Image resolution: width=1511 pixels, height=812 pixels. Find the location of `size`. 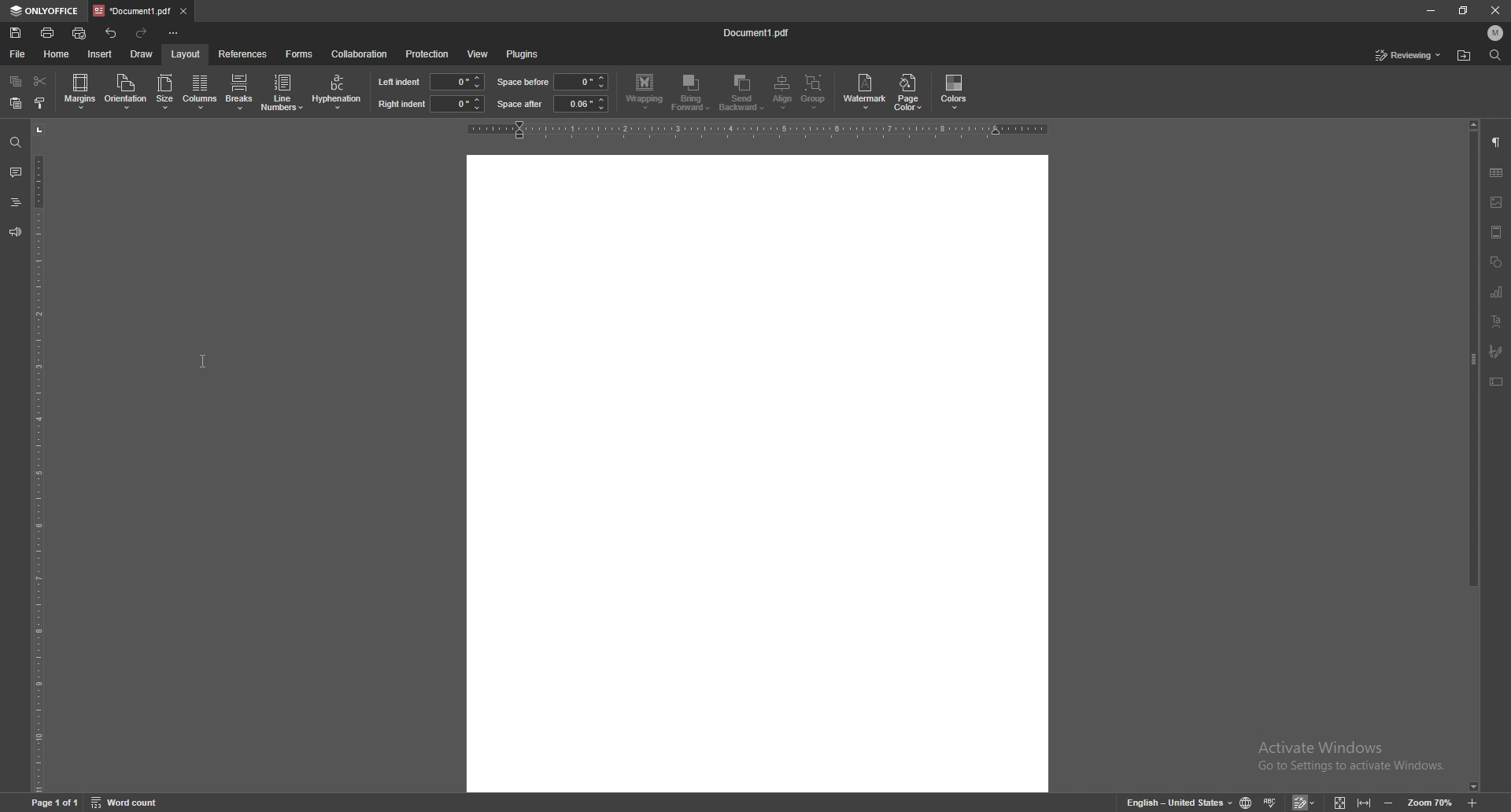

size is located at coordinates (165, 93).